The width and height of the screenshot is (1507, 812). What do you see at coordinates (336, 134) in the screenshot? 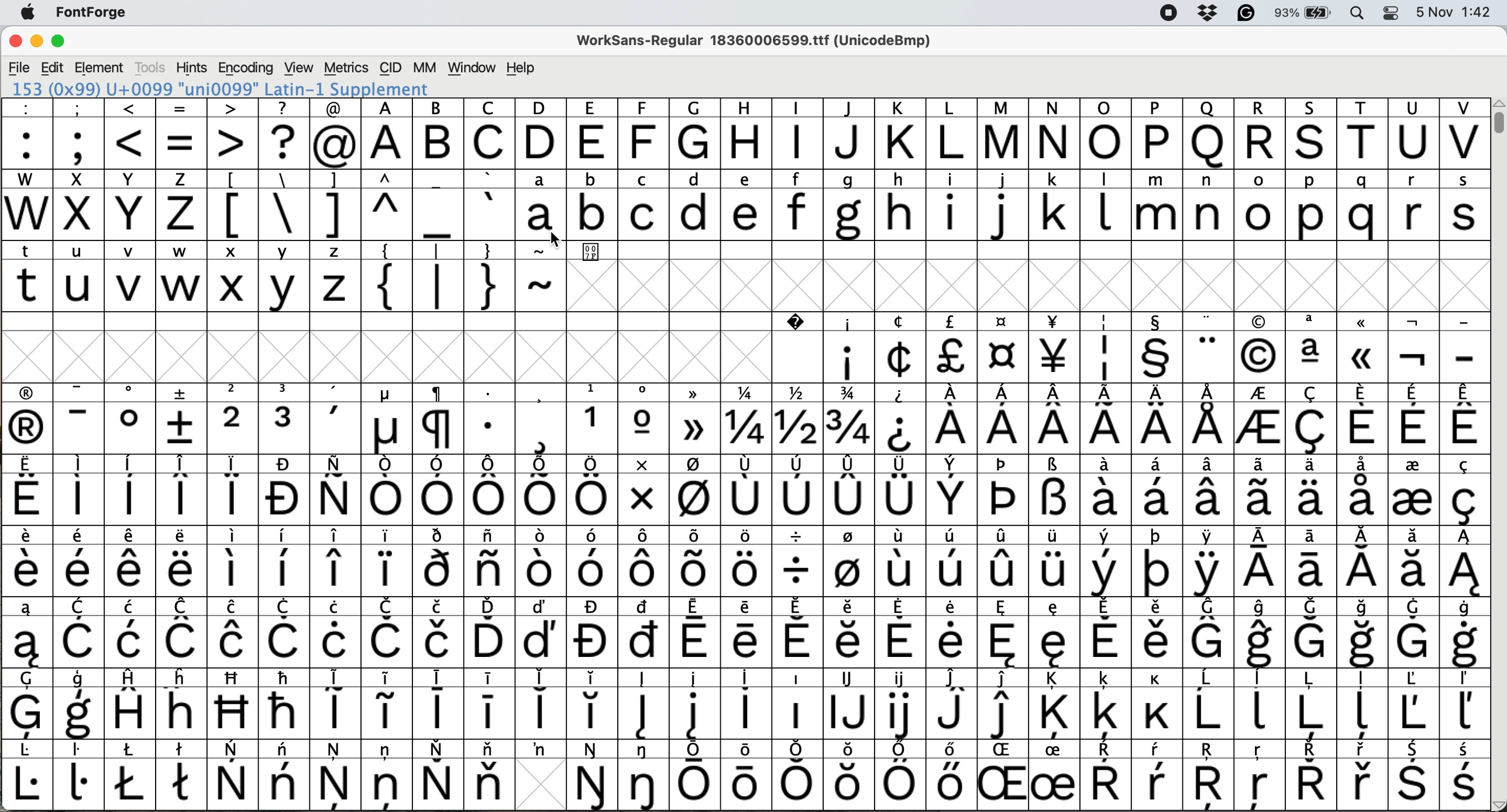
I see `@` at bounding box center [336, 134].